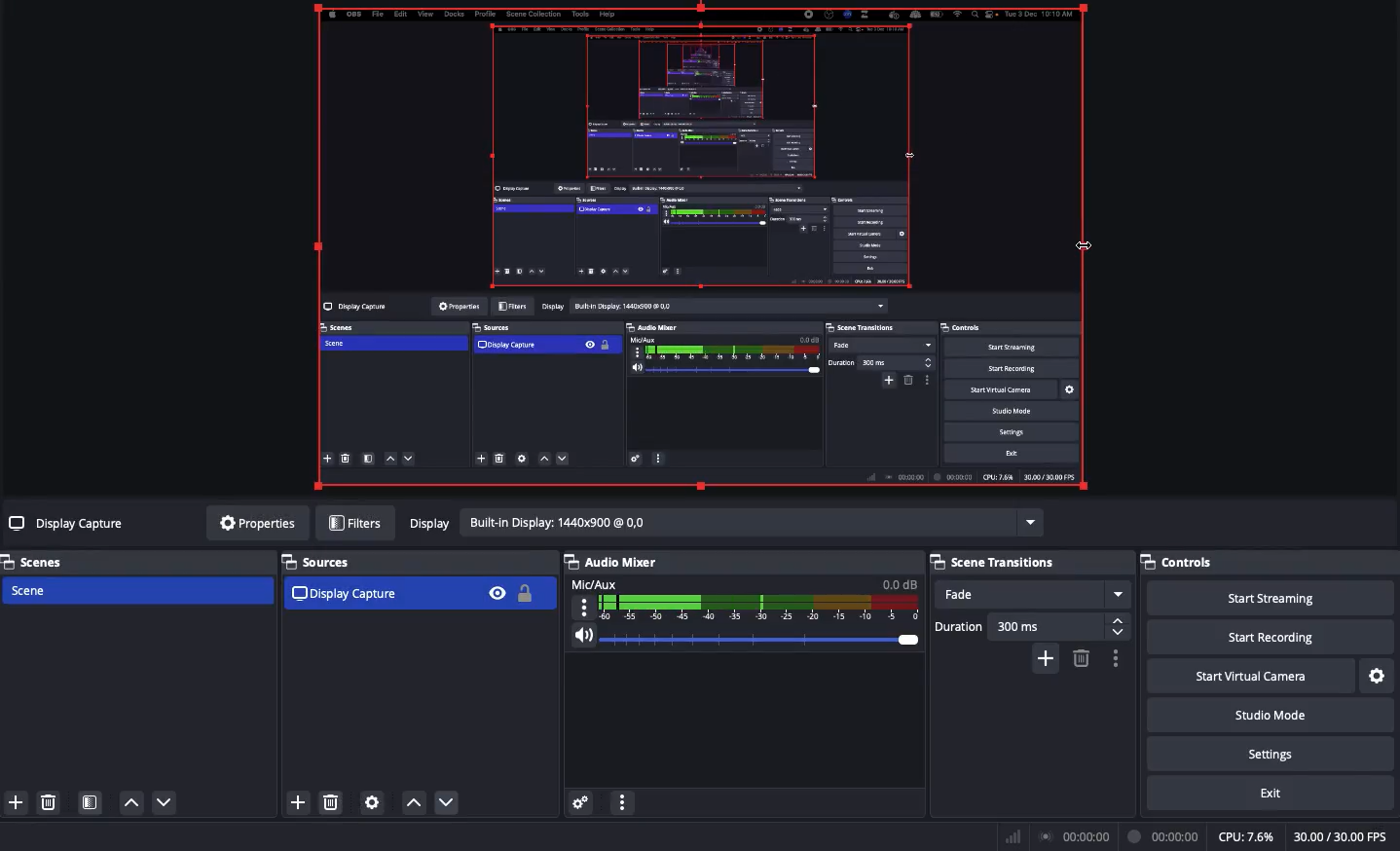  Describe the element at coordinates (297, 804) in the screenshot. I see `Add` at that location.